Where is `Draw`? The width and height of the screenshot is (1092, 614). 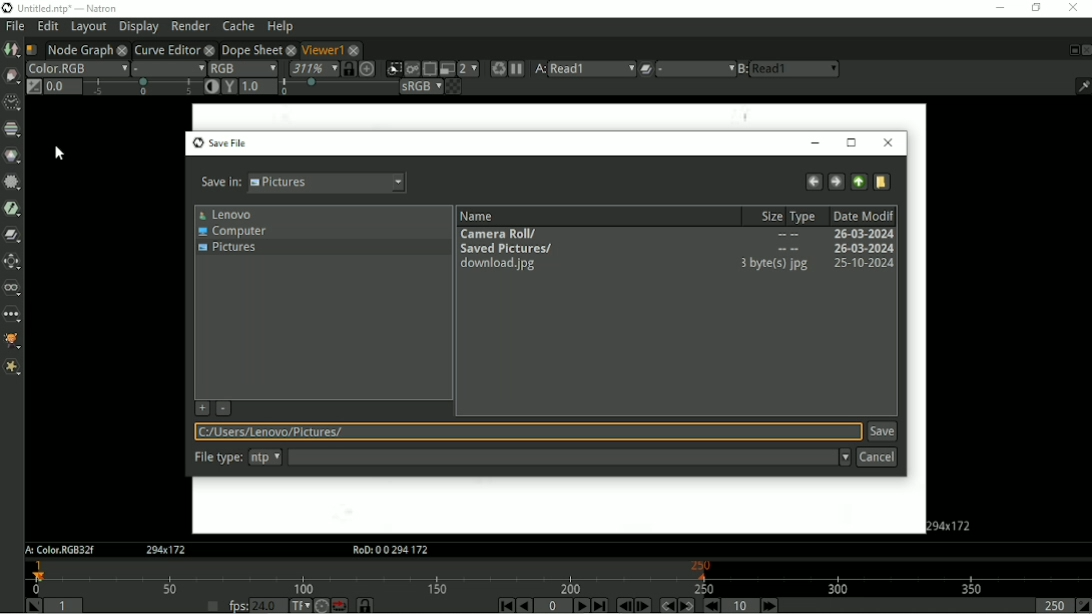
Draw is located at coordinates (12, 77).